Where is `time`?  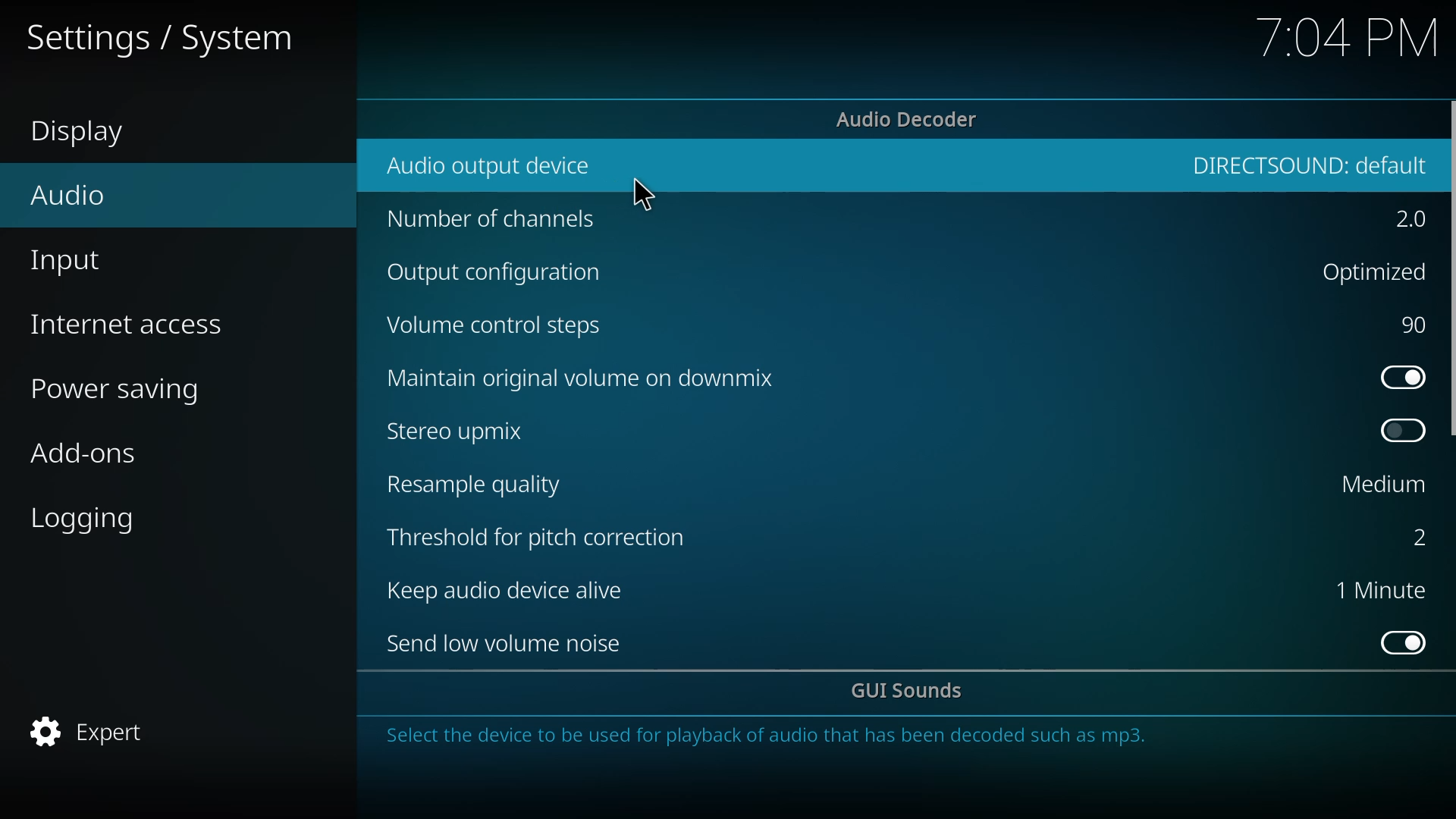 time is located at coordinates (1348, 37).